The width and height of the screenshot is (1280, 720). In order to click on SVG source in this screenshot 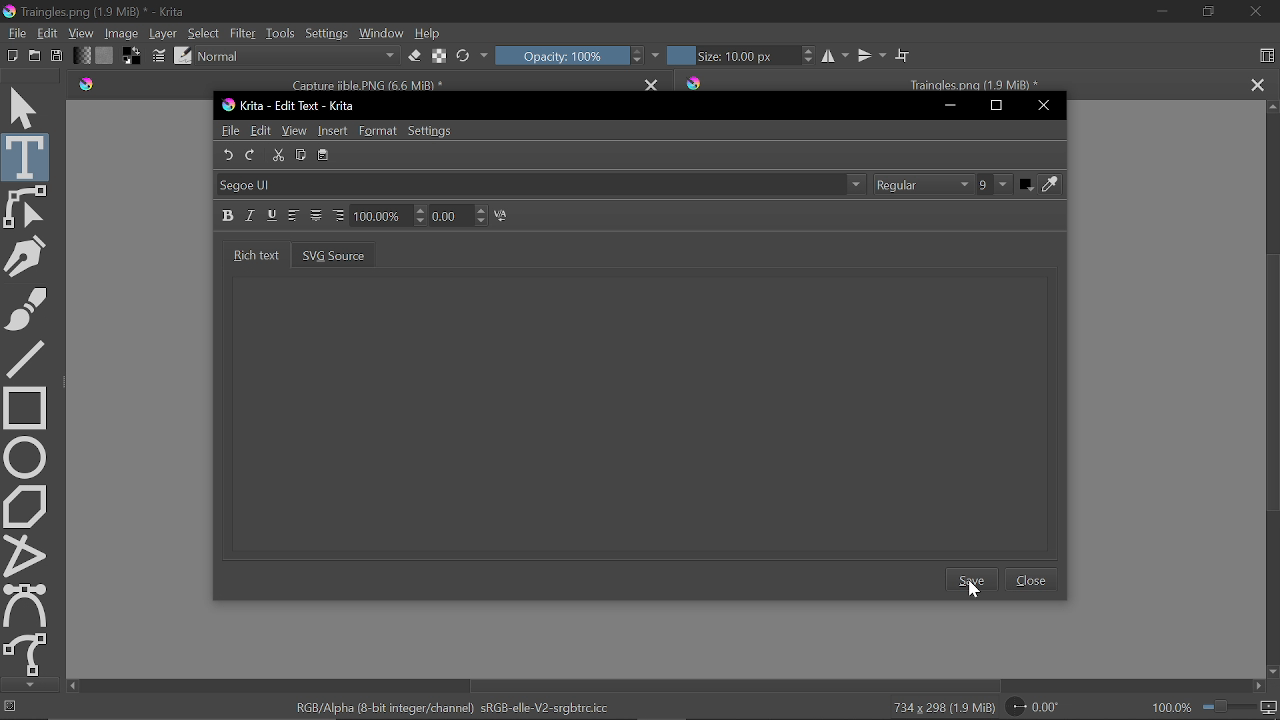, I will do `click(334, 257)`.